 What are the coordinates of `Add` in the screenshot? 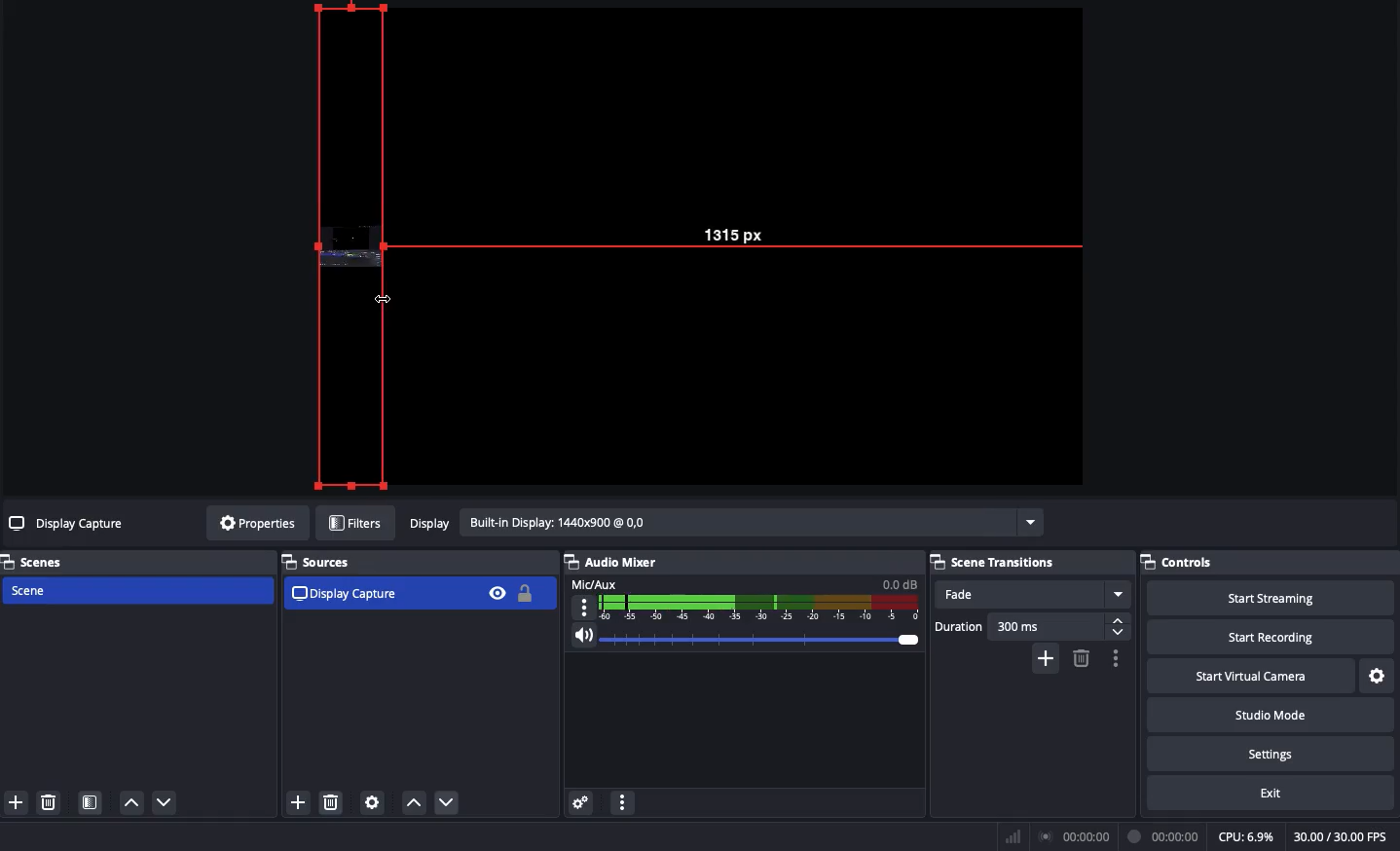 It's located at (1048, 657).